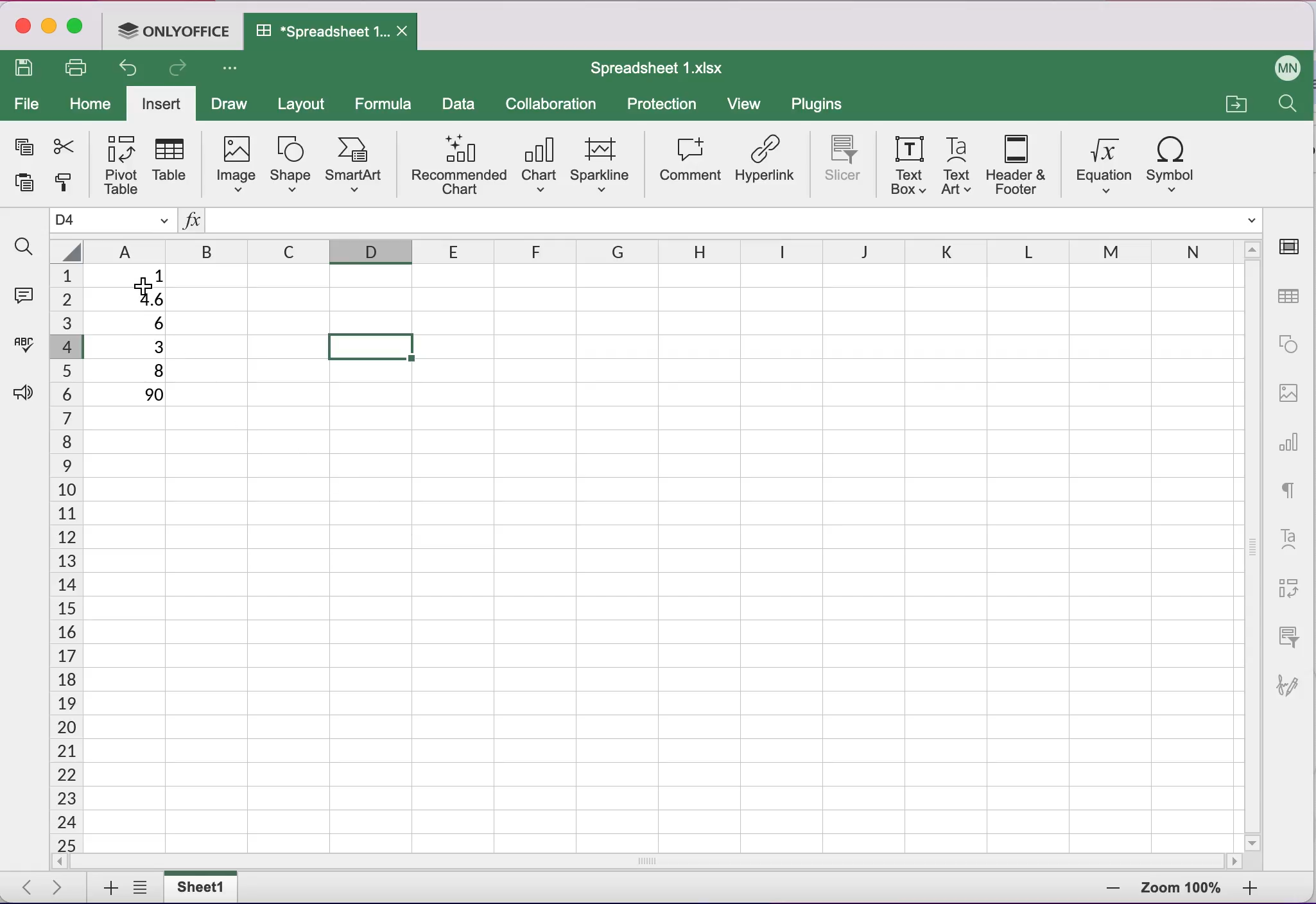 This screenshot has height=904, width=1316. What do you see at coordinates (387, 102) in the screenshot?
I see `formula` at bounding box center [387, 102].